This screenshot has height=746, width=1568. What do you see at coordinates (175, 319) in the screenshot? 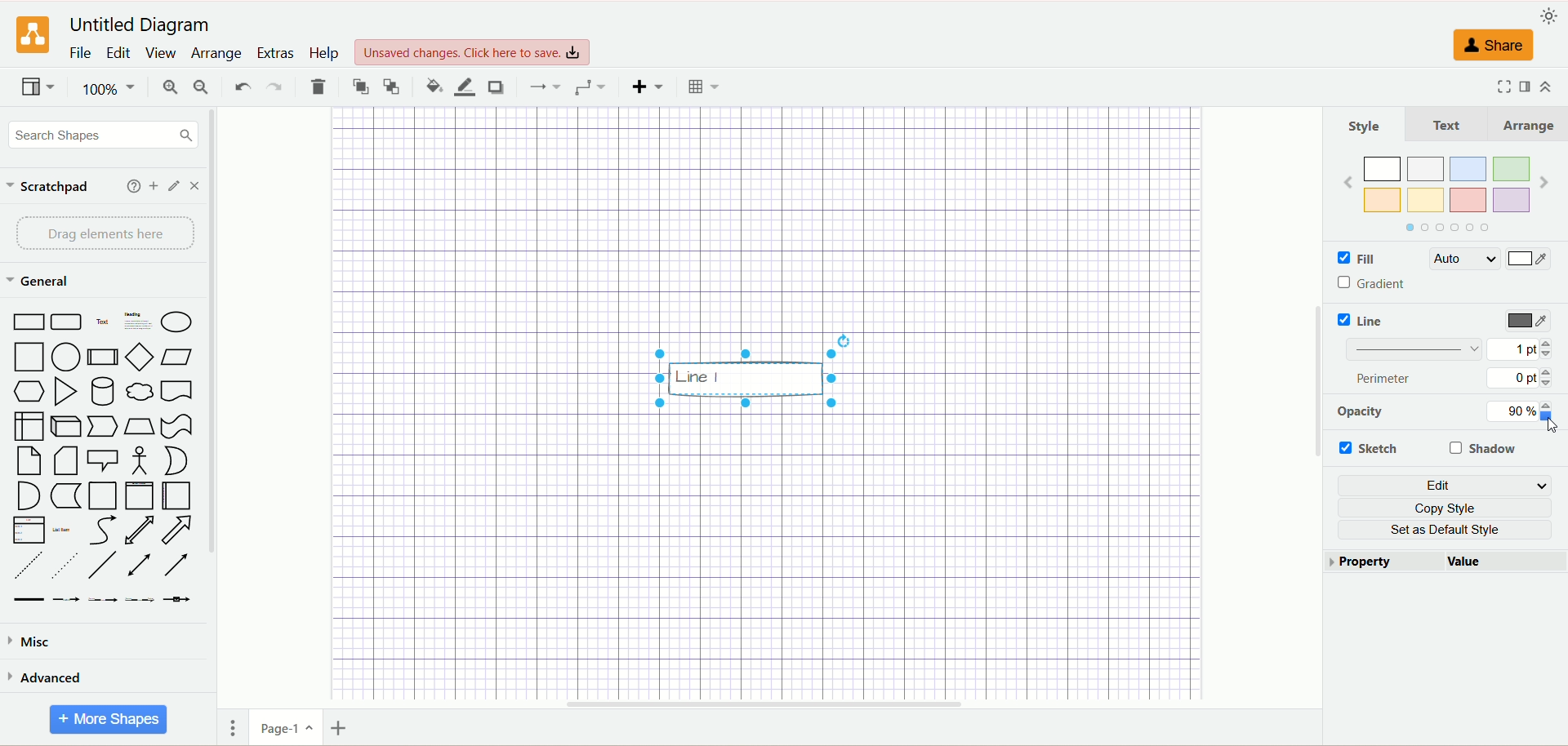
I see `Ellipse` at bounding box center [175, 319].